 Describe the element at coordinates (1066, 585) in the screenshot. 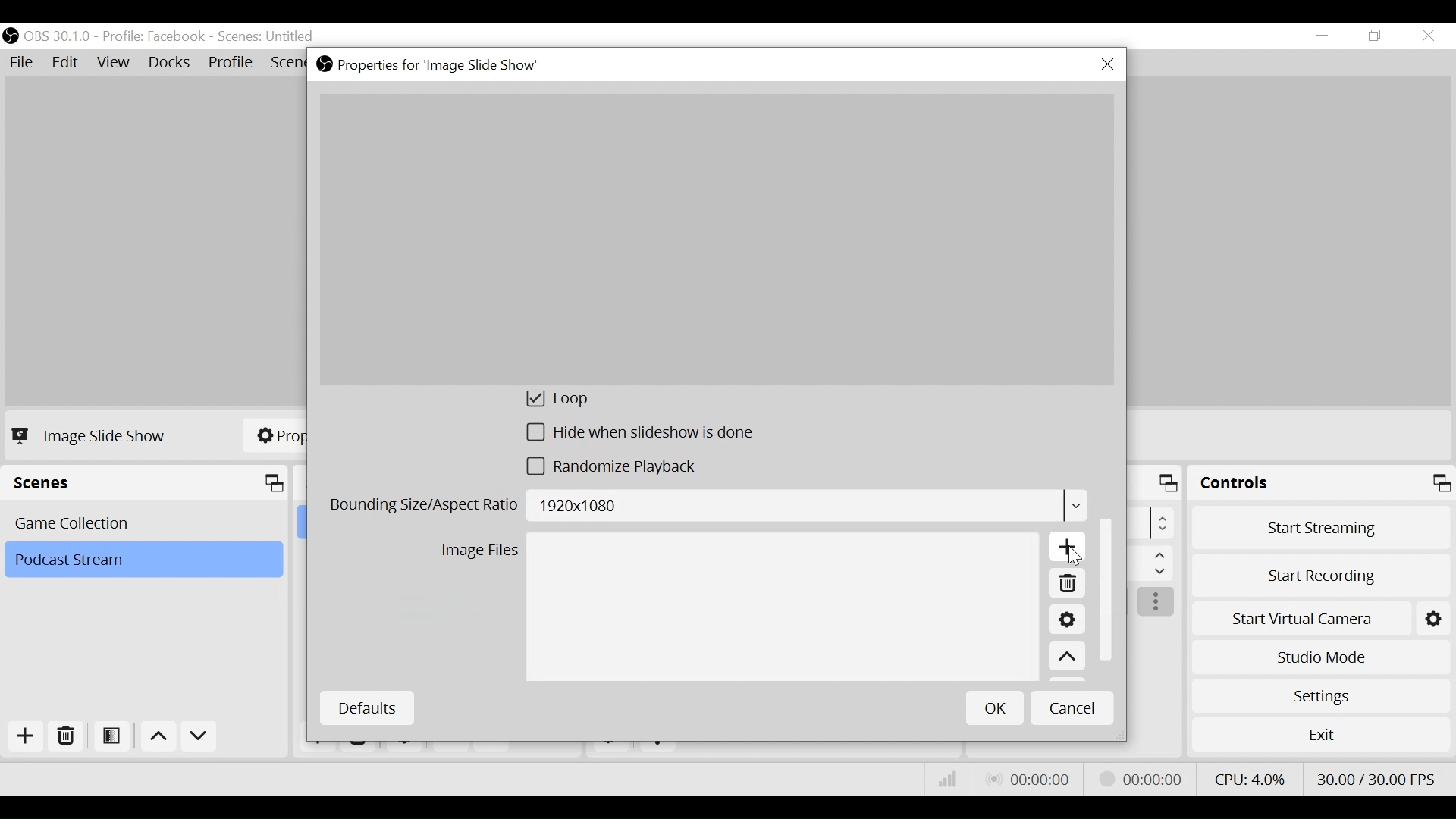

I see `Remove` at that location.